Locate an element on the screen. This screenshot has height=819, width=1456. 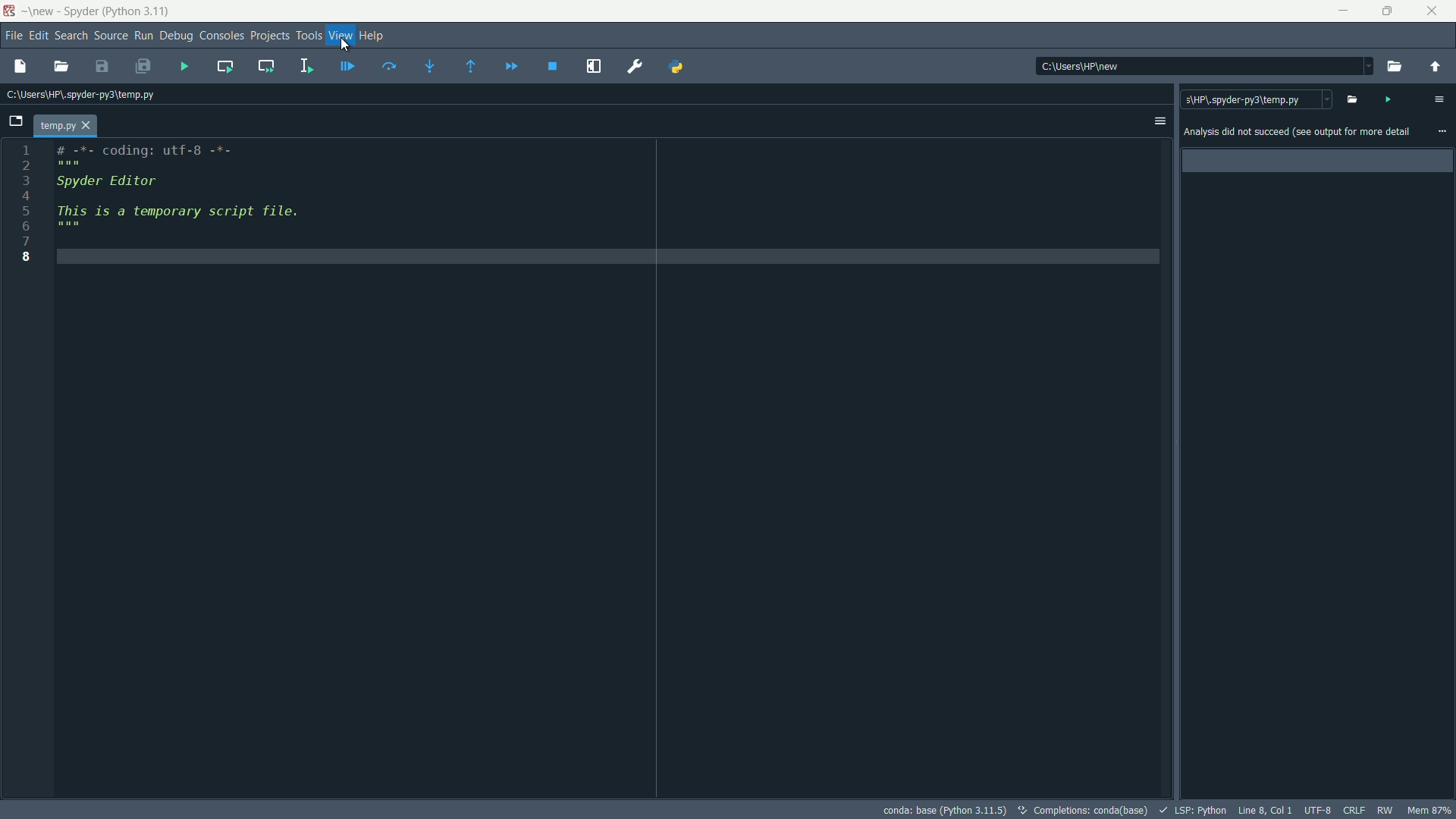
project menu is located at coordinates (271, 36).